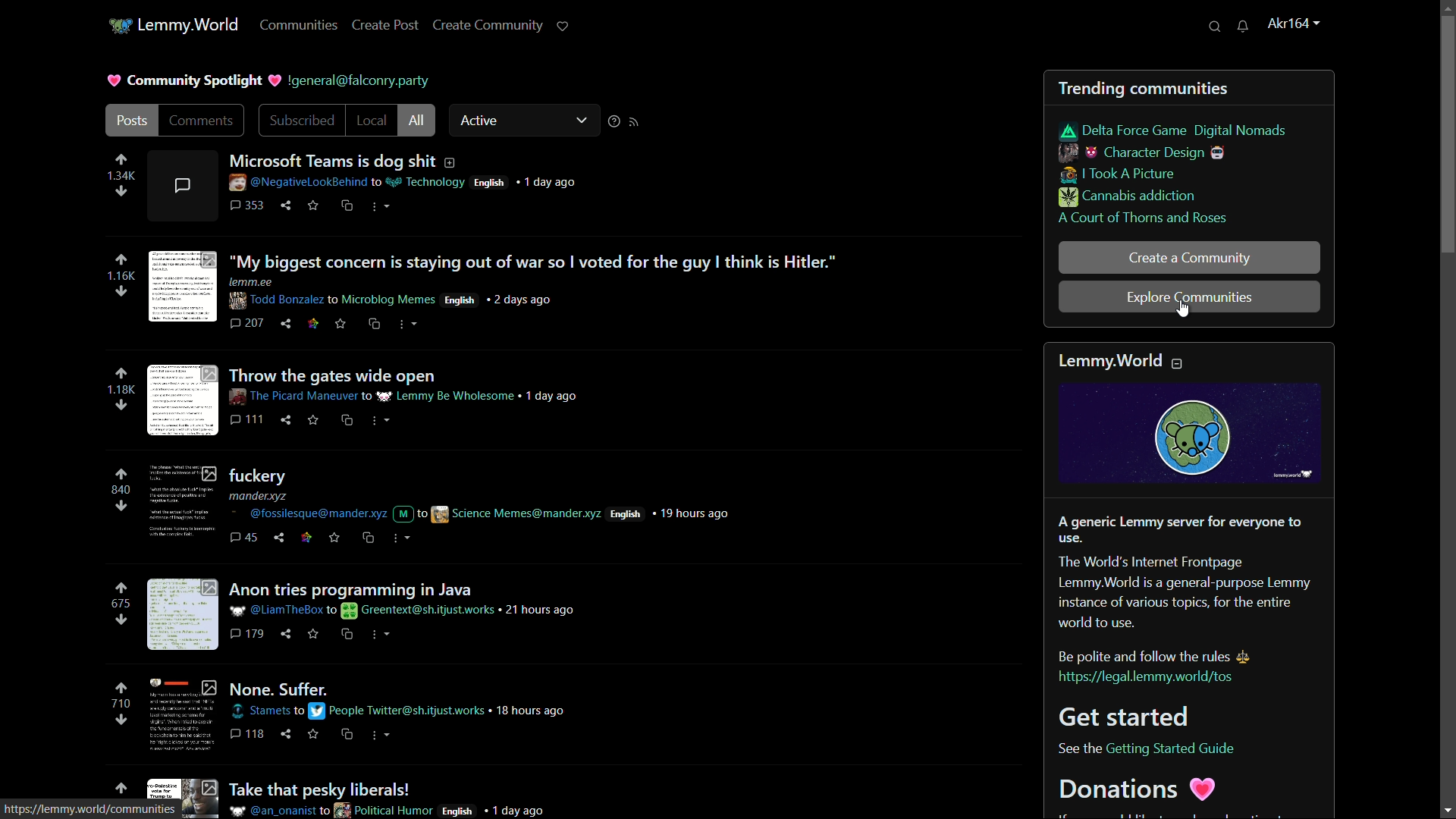 The height and width of the screenshot is (819, 1456). What do you see at coordinates (1078, 746) in the screenshot?
I see `text` at bounding box center [1078, 746].